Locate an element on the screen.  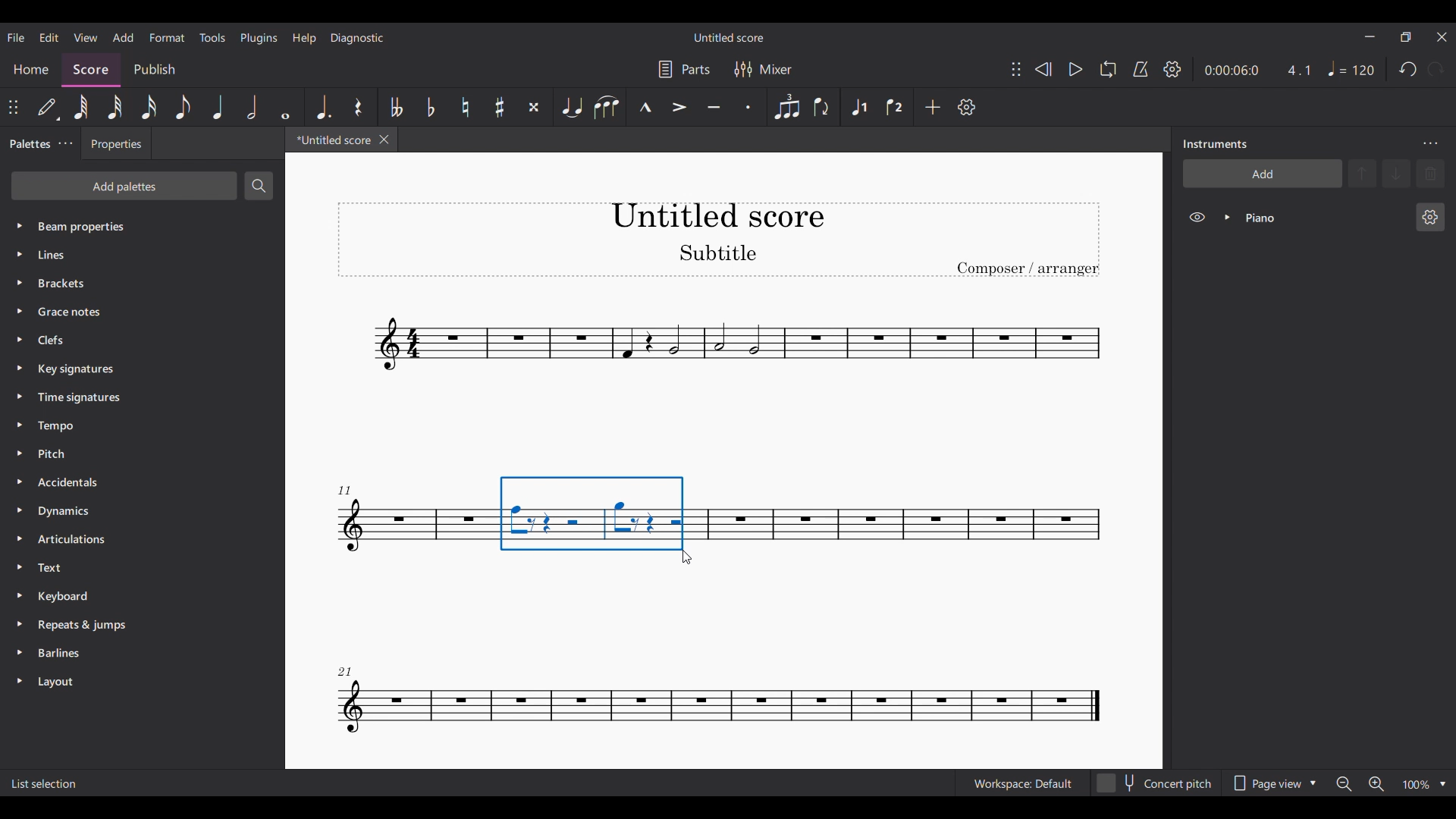
Tuplet is located at coordinates (787, 107).